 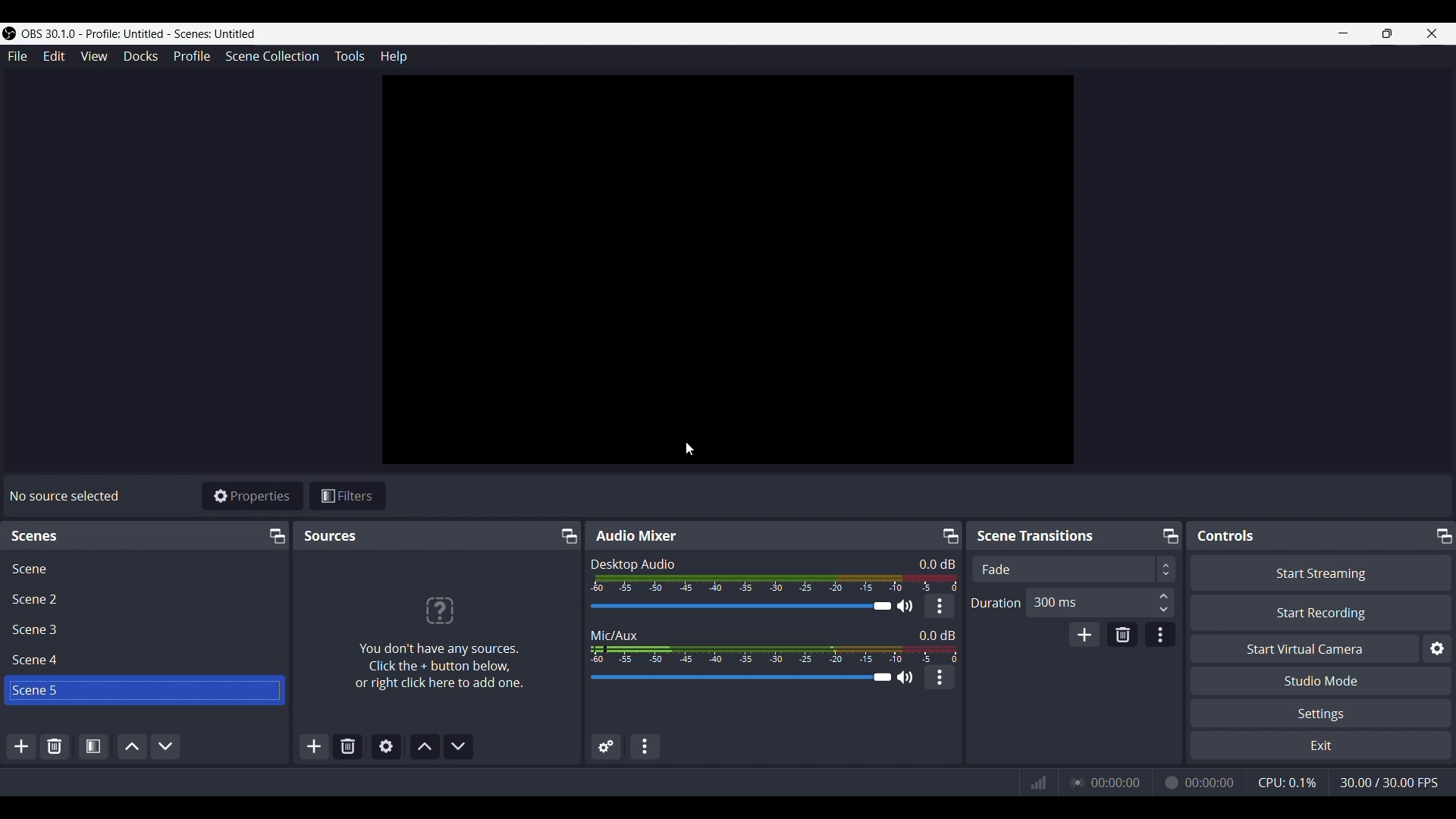 What do you see at coordinates (166, 745) in the screenshot?
I see `Move scene down` at bounding box center [166, 745].